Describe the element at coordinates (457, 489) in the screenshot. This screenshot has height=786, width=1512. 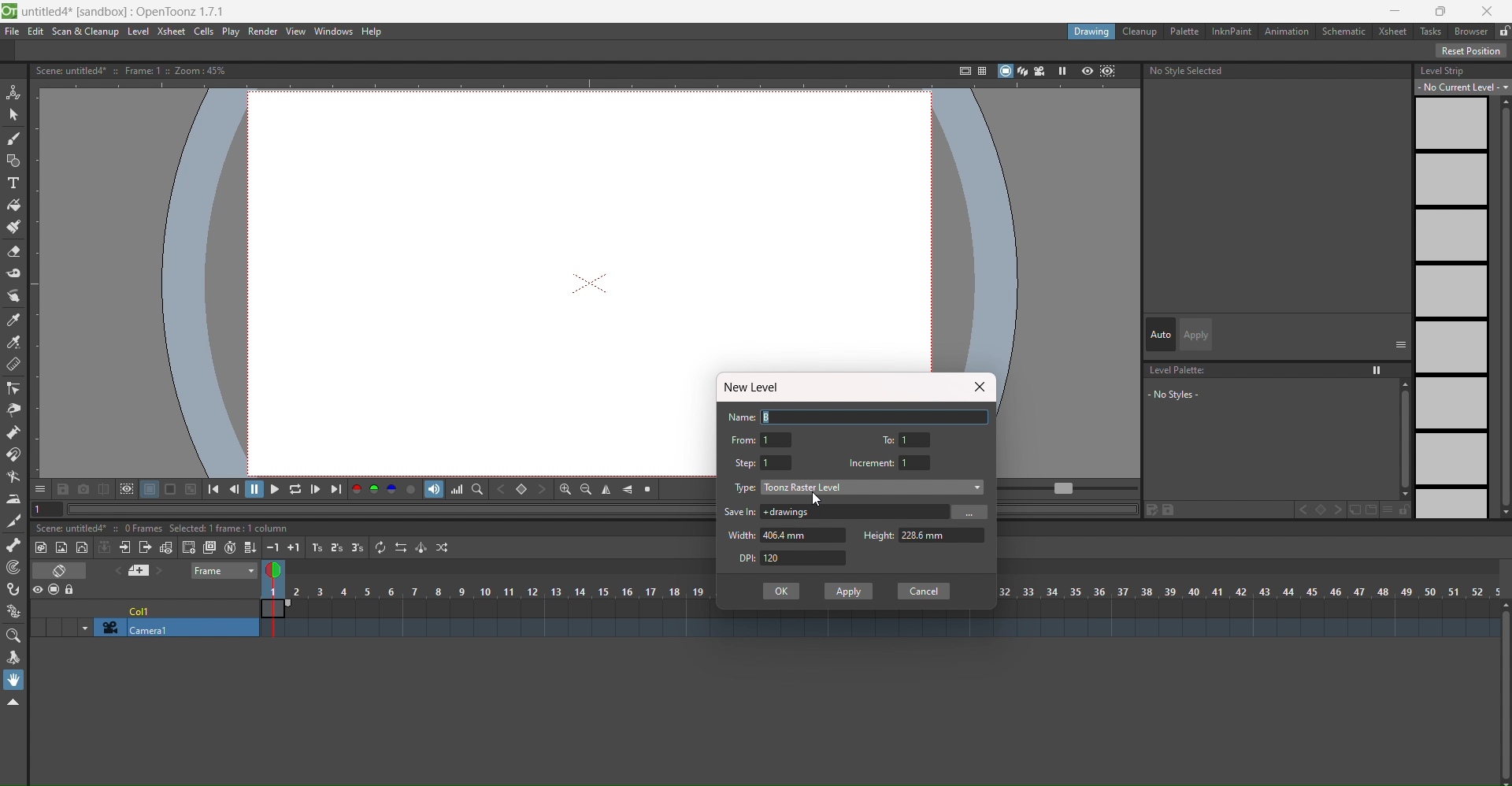
I see `histogram ` at that location.